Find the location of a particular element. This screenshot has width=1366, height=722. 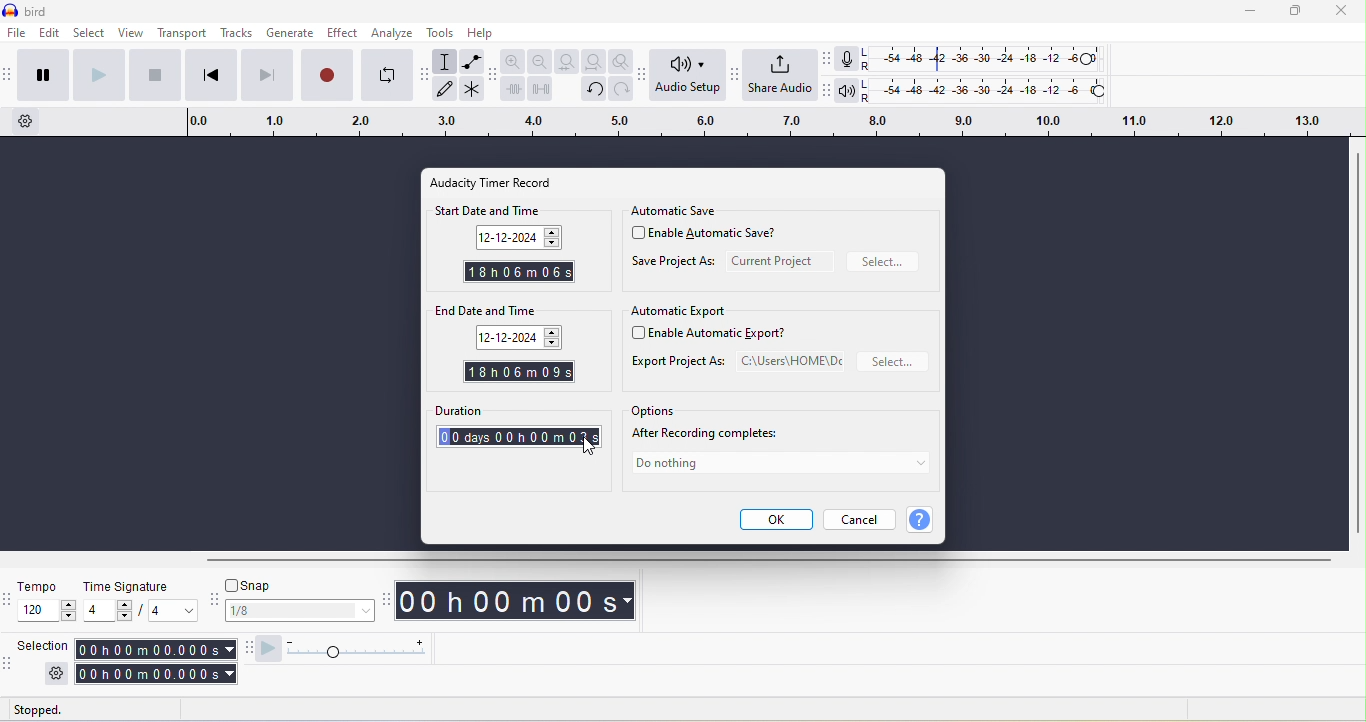

maximize is located at coordinates (1296, 12).